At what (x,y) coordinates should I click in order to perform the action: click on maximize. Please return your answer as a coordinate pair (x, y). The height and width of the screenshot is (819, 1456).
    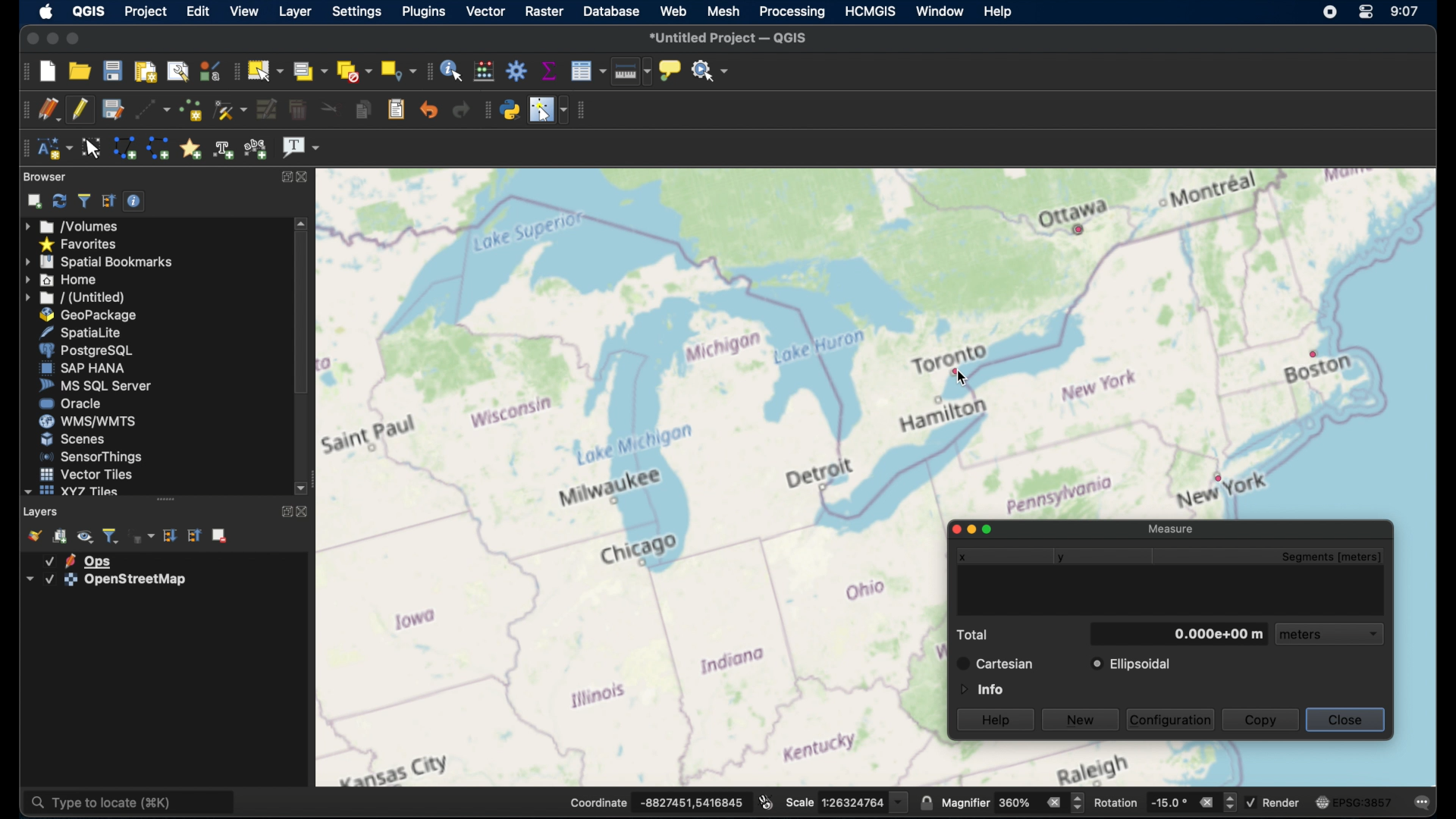
    Looking at the image, I should click on (73, 38).